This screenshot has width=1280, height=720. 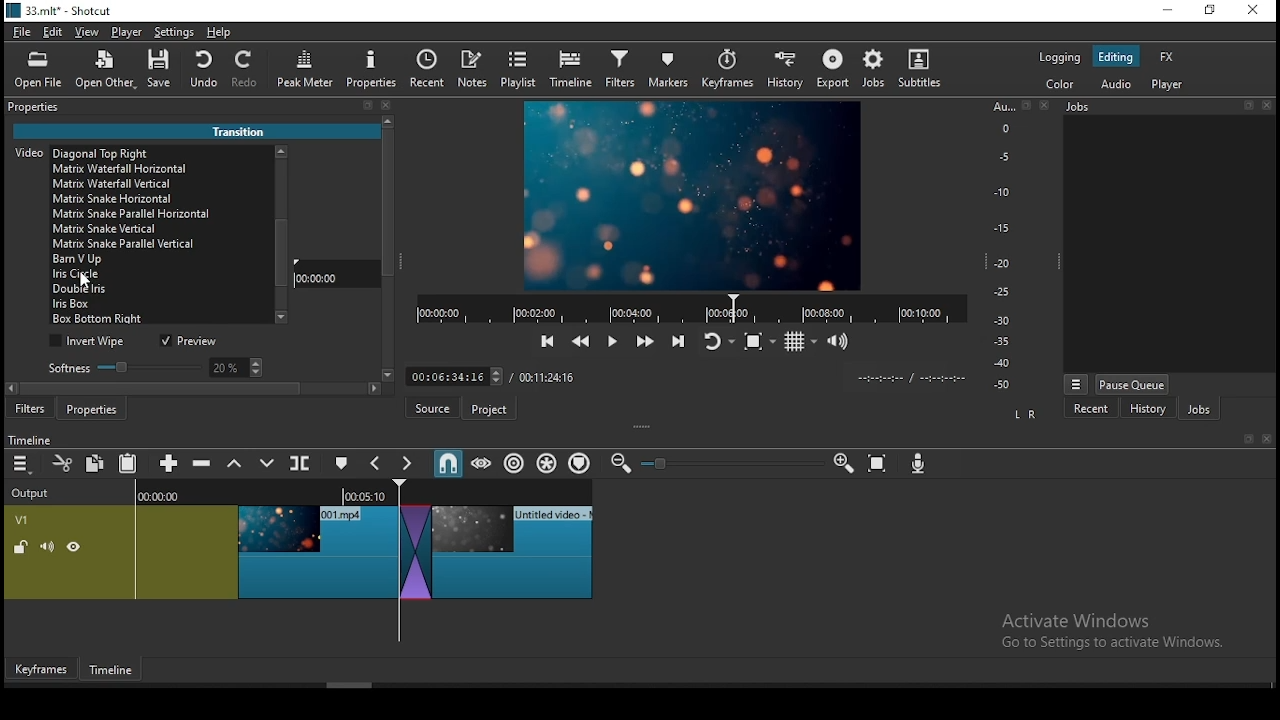 What do you see at coordinates (1146, 409) in the screenshot?
I see `history` at bounding box center [1146, 409].